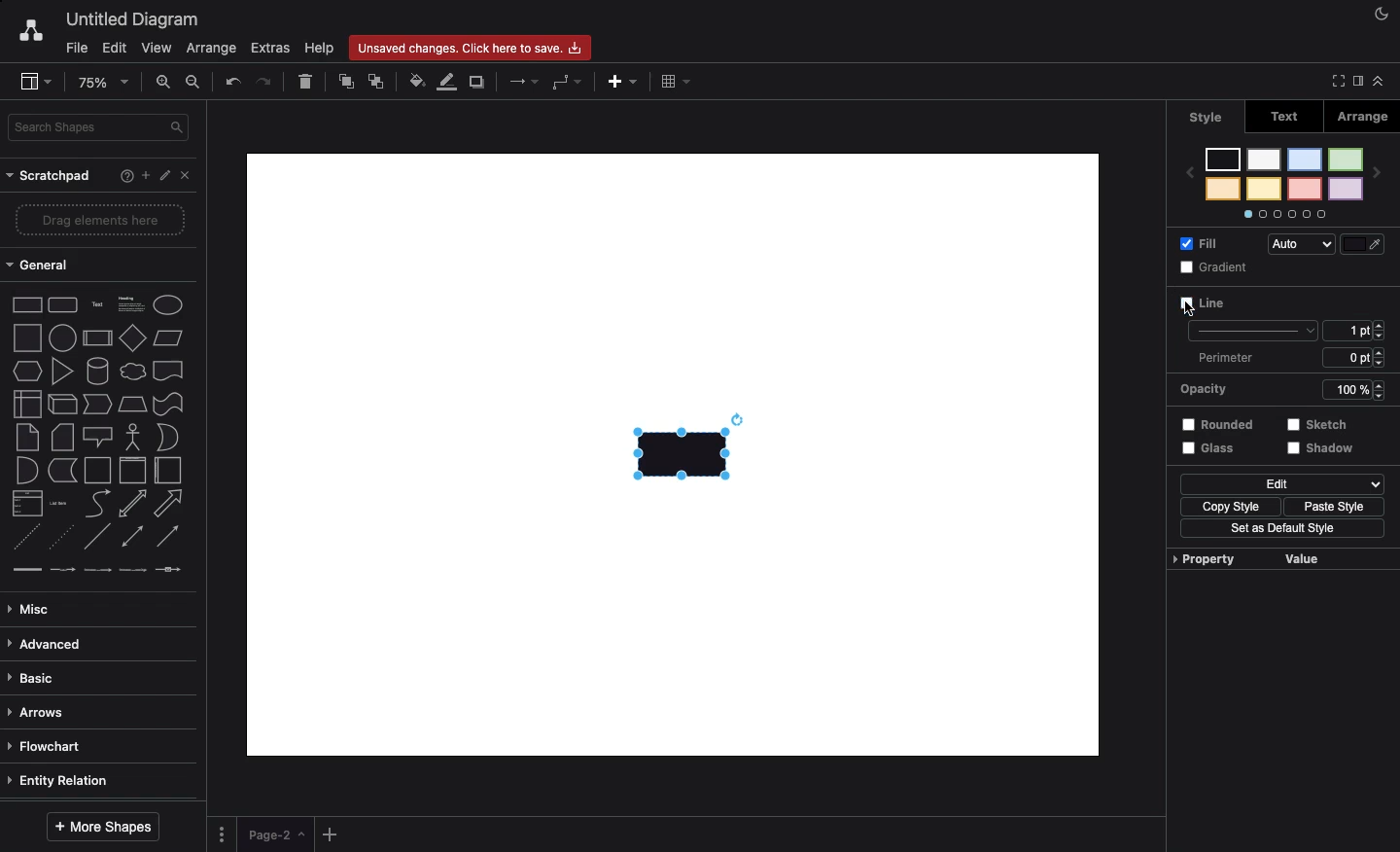  I want to click on internal storage, so click(22, 405).